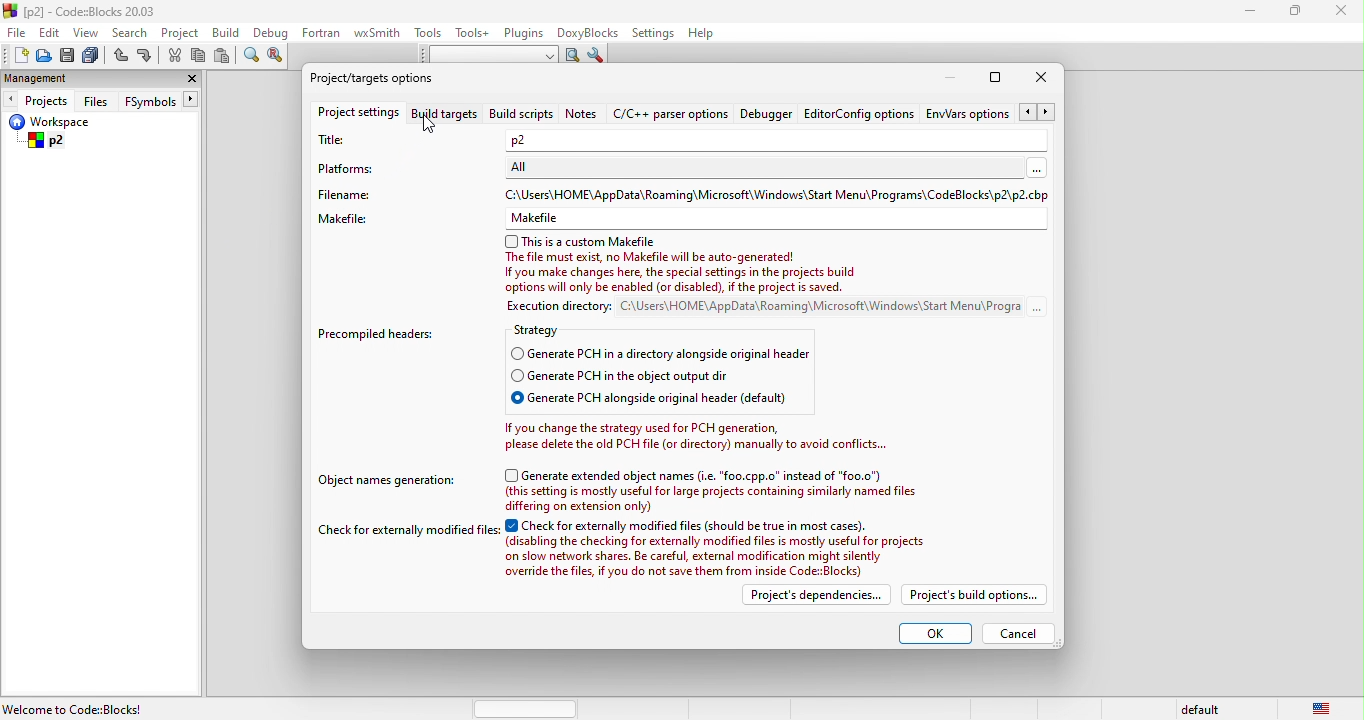 This screenshot has width=1364, height=720. What do you see at coordinates (992, 112) in the screenshot?
I see `env\vars option` at bounding box center [992, 112].